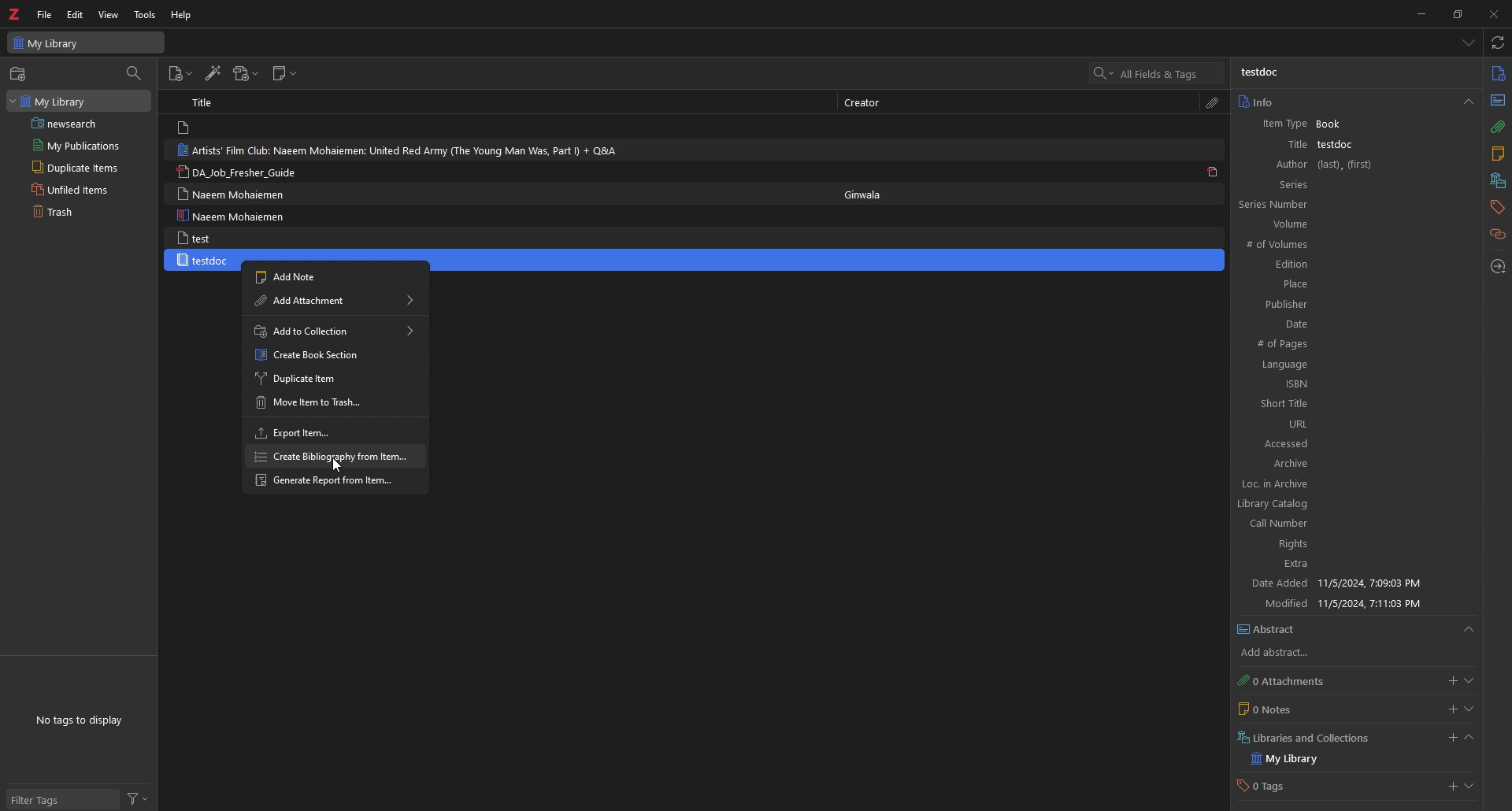 This screenshot has height=811, width=1512. Describe the element at coordinates (1352, 465) in the screenshot. I see `Archive` at that location.